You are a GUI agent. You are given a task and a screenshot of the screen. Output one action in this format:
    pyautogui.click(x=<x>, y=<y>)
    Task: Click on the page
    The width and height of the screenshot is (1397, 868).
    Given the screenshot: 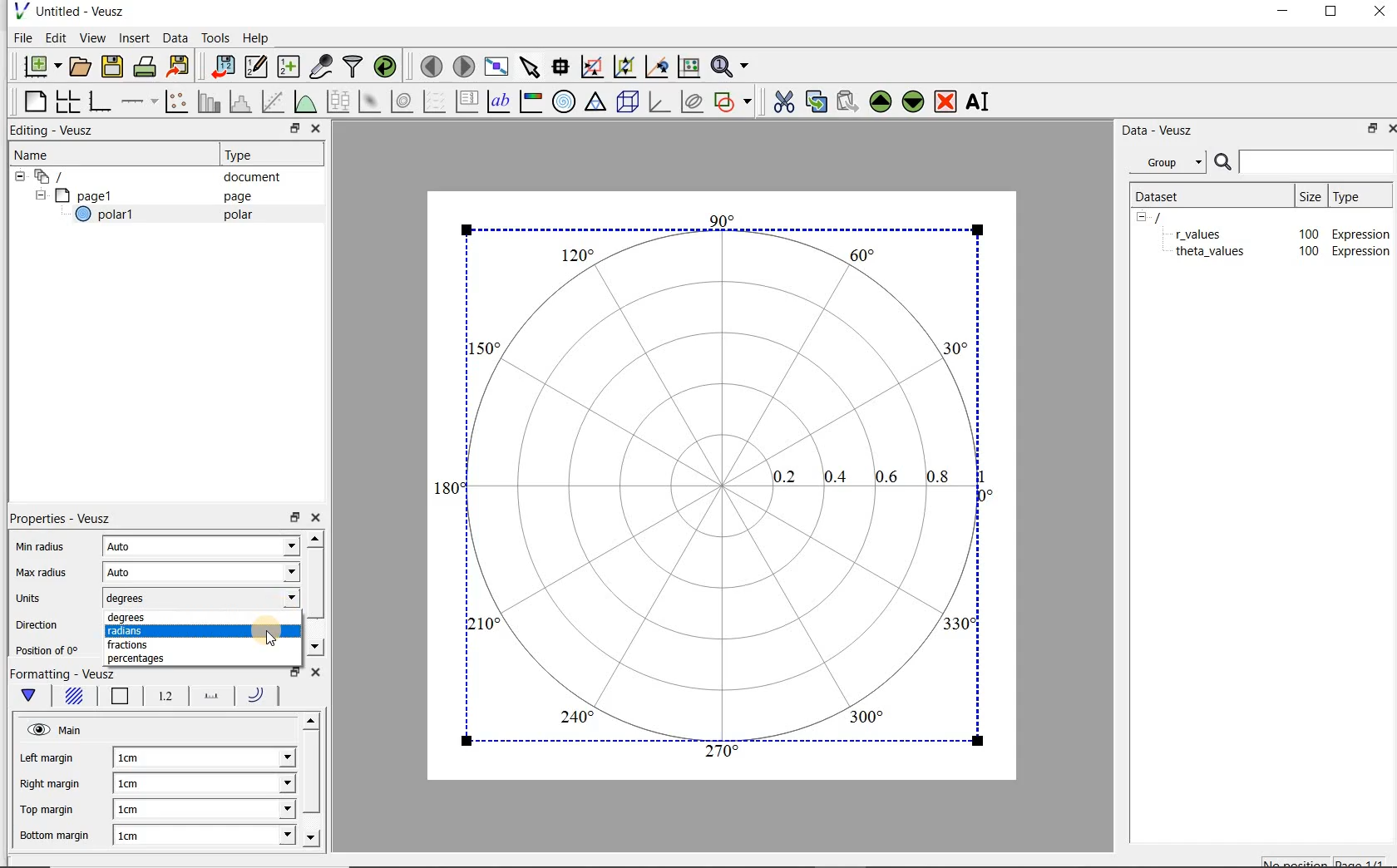 What is the action you would take?
    pyautogui.click(x=234, y=196)
    